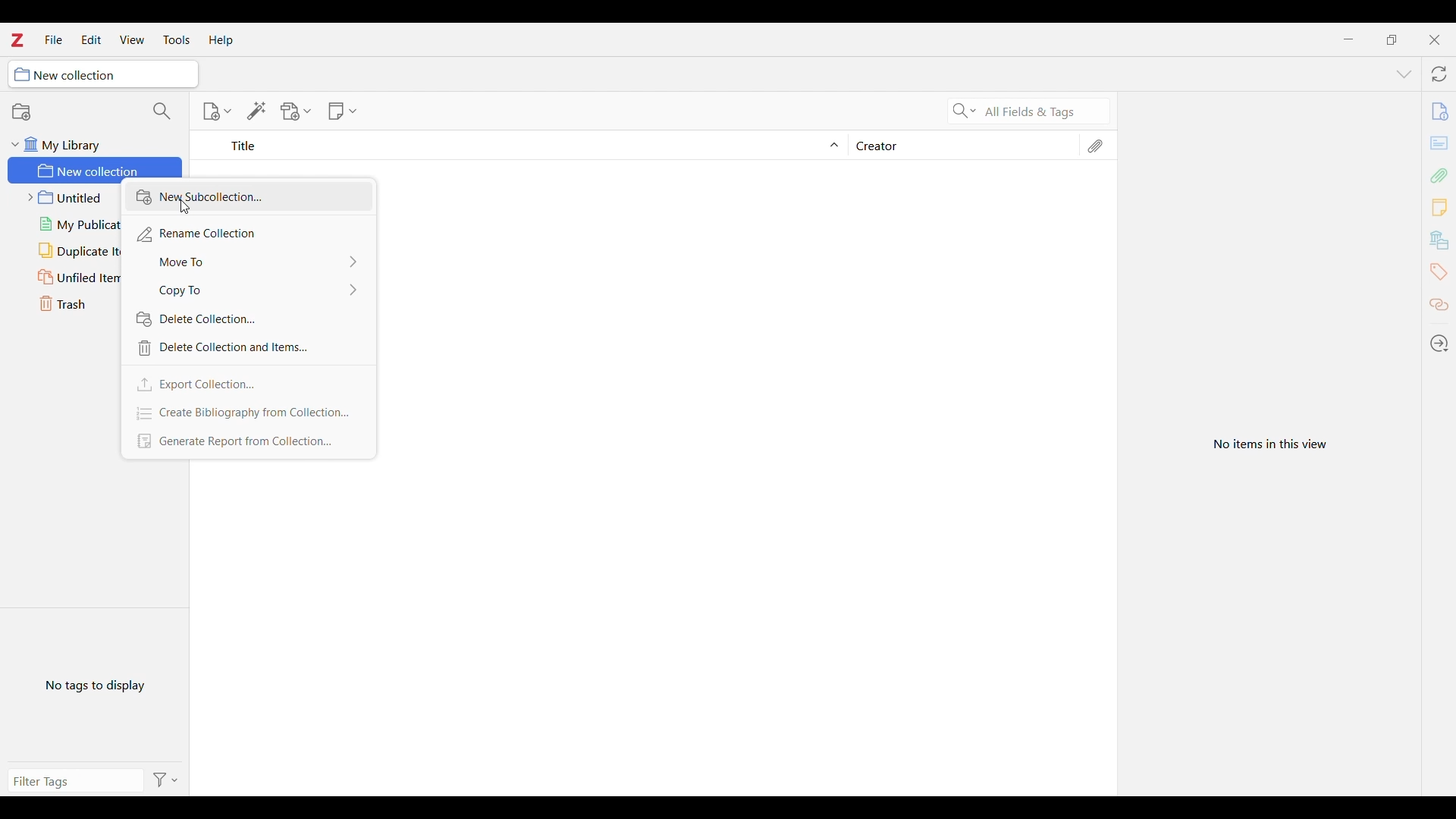 Image resolution: width=1456 pixels, height=819 pixels. What do you see at coordinates (66, 276) in the screenshot?
I see `Unfiled items folder` at bounding box center [66, 276].